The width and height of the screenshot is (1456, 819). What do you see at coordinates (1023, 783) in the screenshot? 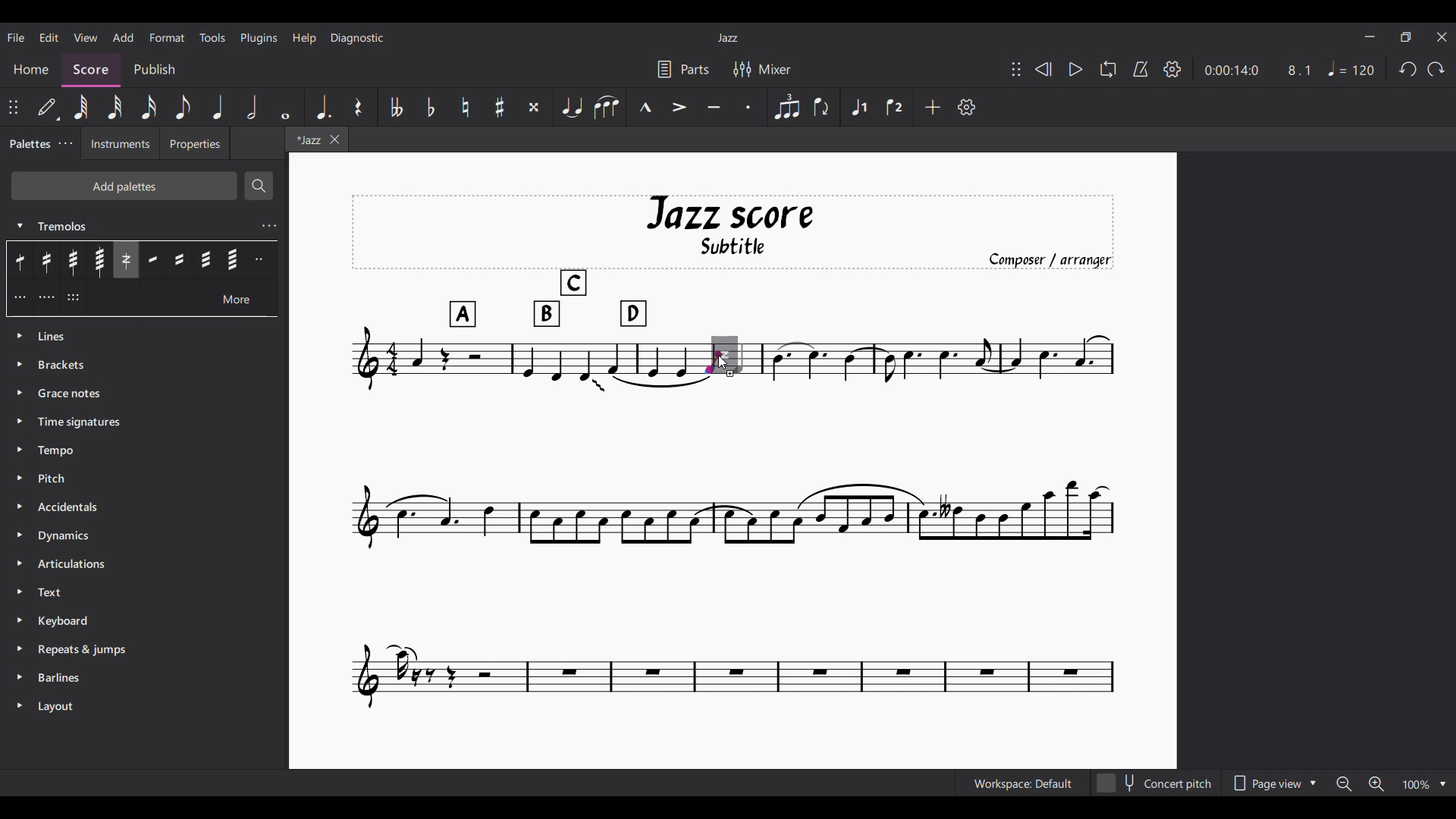
I see `Workspace: Default` at bounding box center [1023, 783].